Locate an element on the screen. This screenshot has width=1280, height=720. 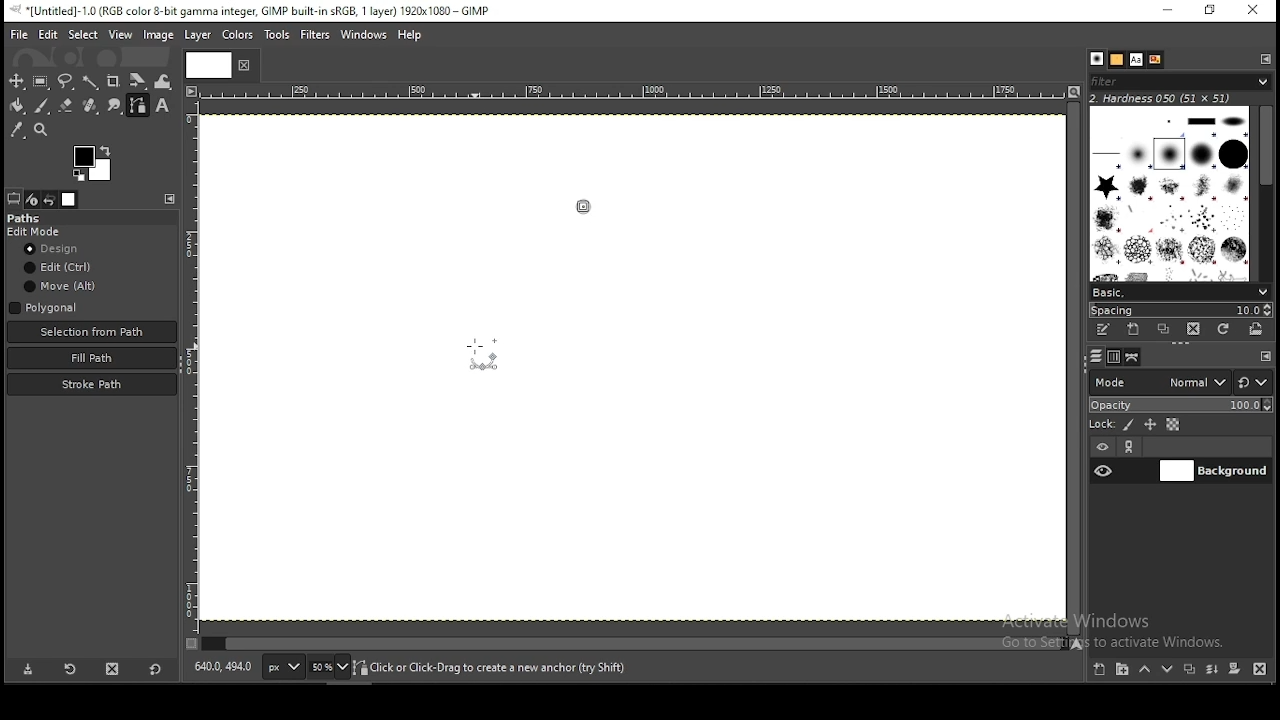
layer is located at coordinates (202, 36).